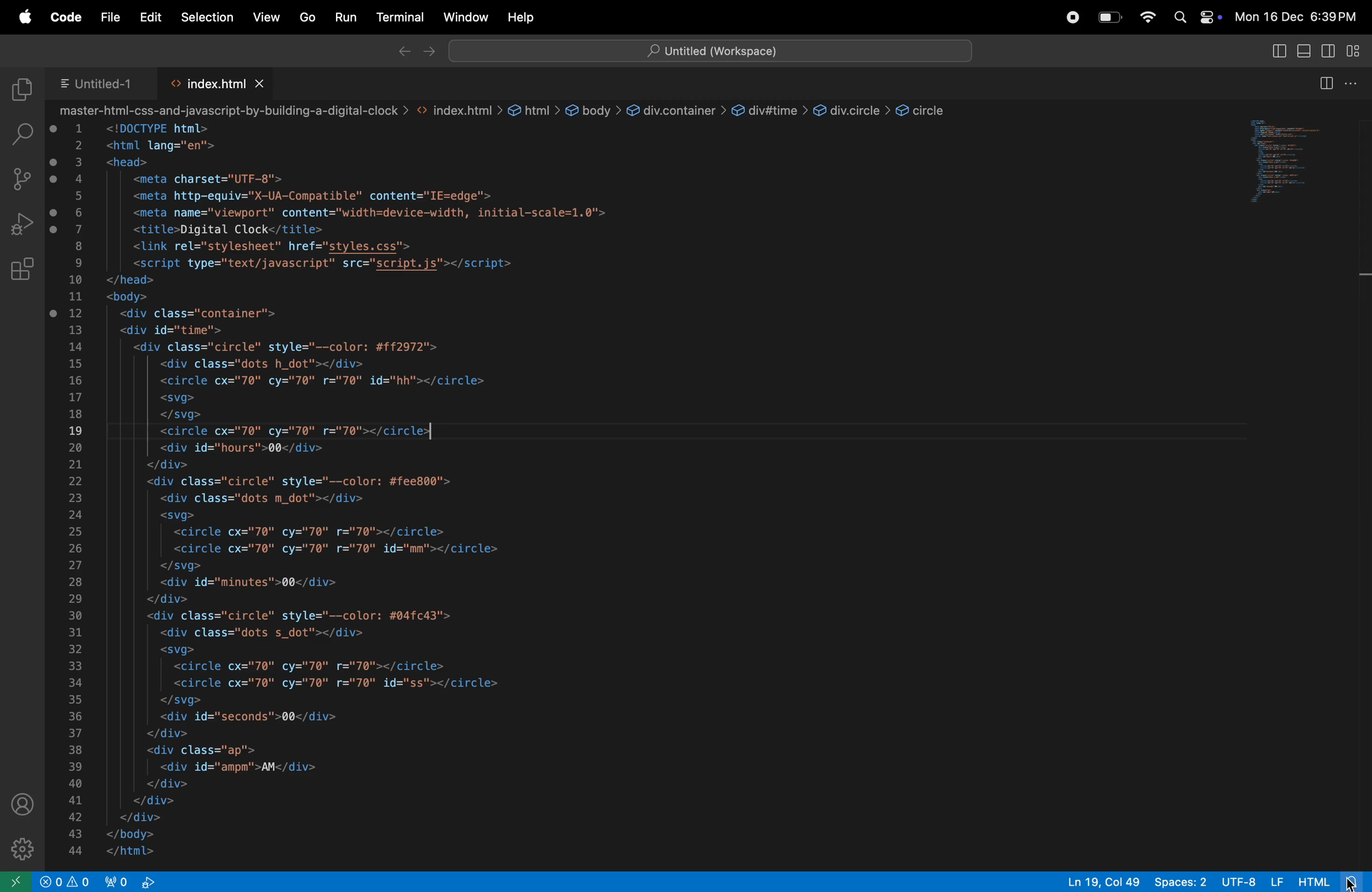 The height and width of the screenshot is (892, 1372). I want to click on edit, so click(153, 17).